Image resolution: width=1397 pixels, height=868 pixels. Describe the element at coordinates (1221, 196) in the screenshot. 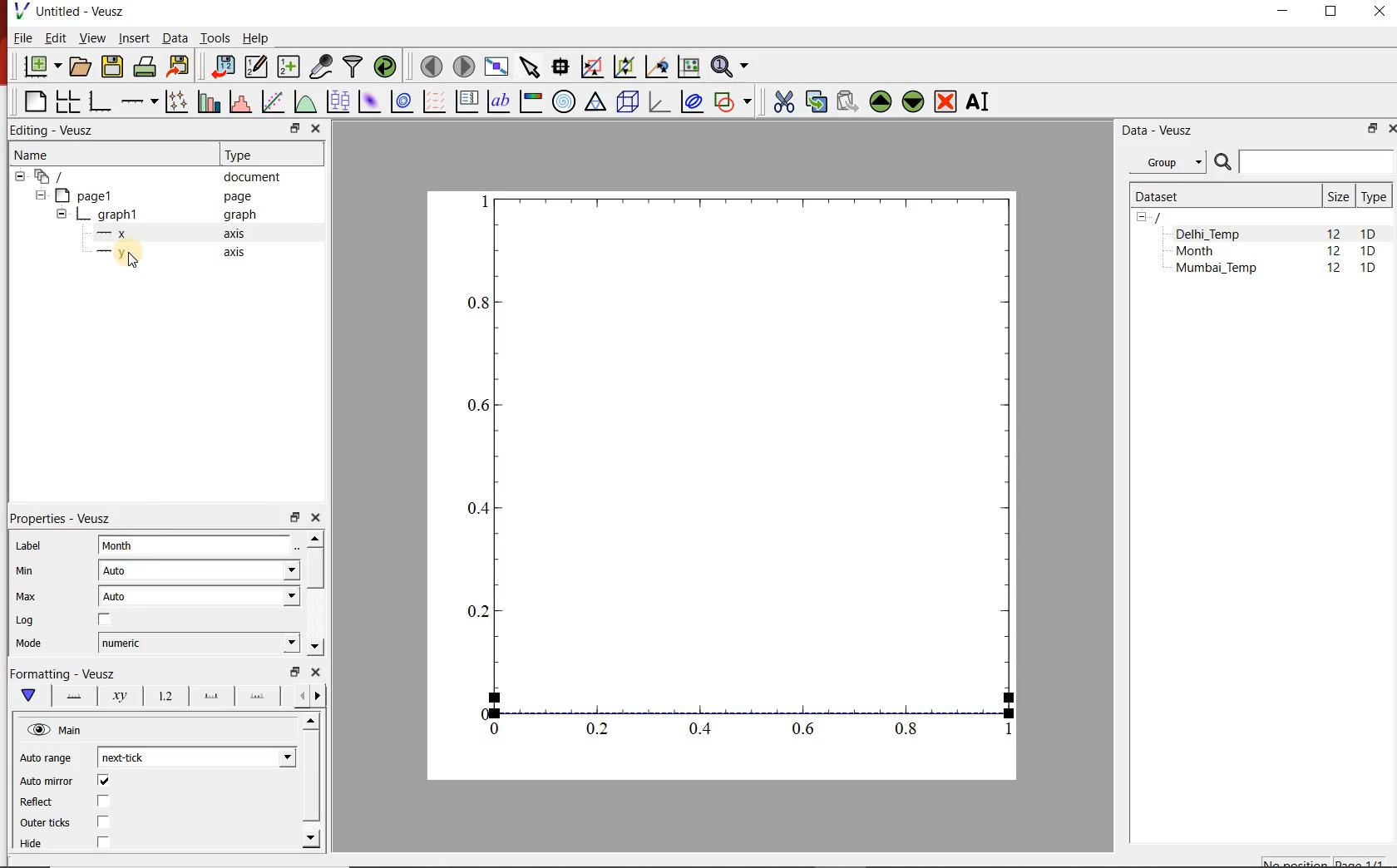

I see `Dataset` at that location.